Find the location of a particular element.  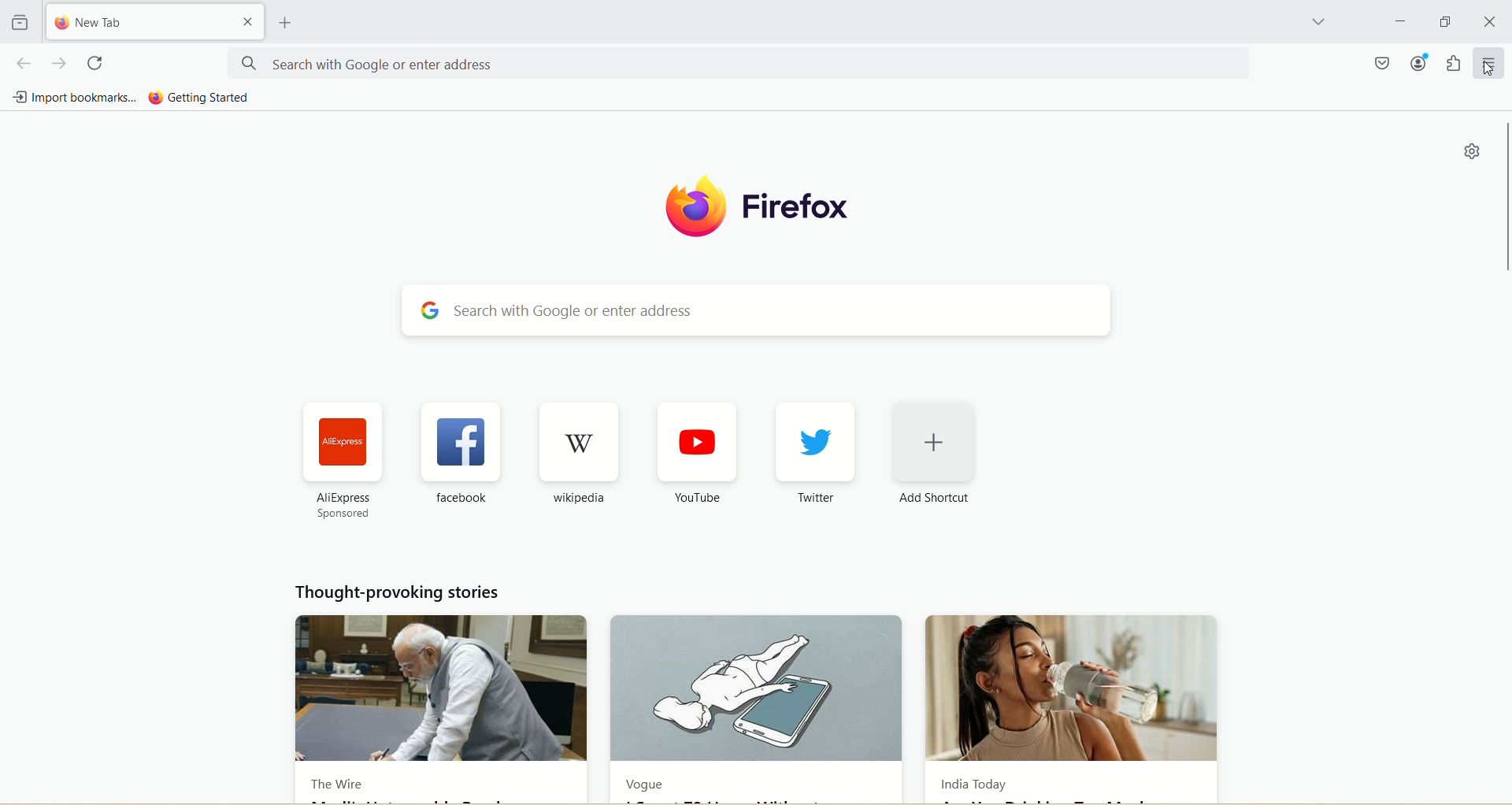

AliExpress sponsored is located at coordinates (346, 505).